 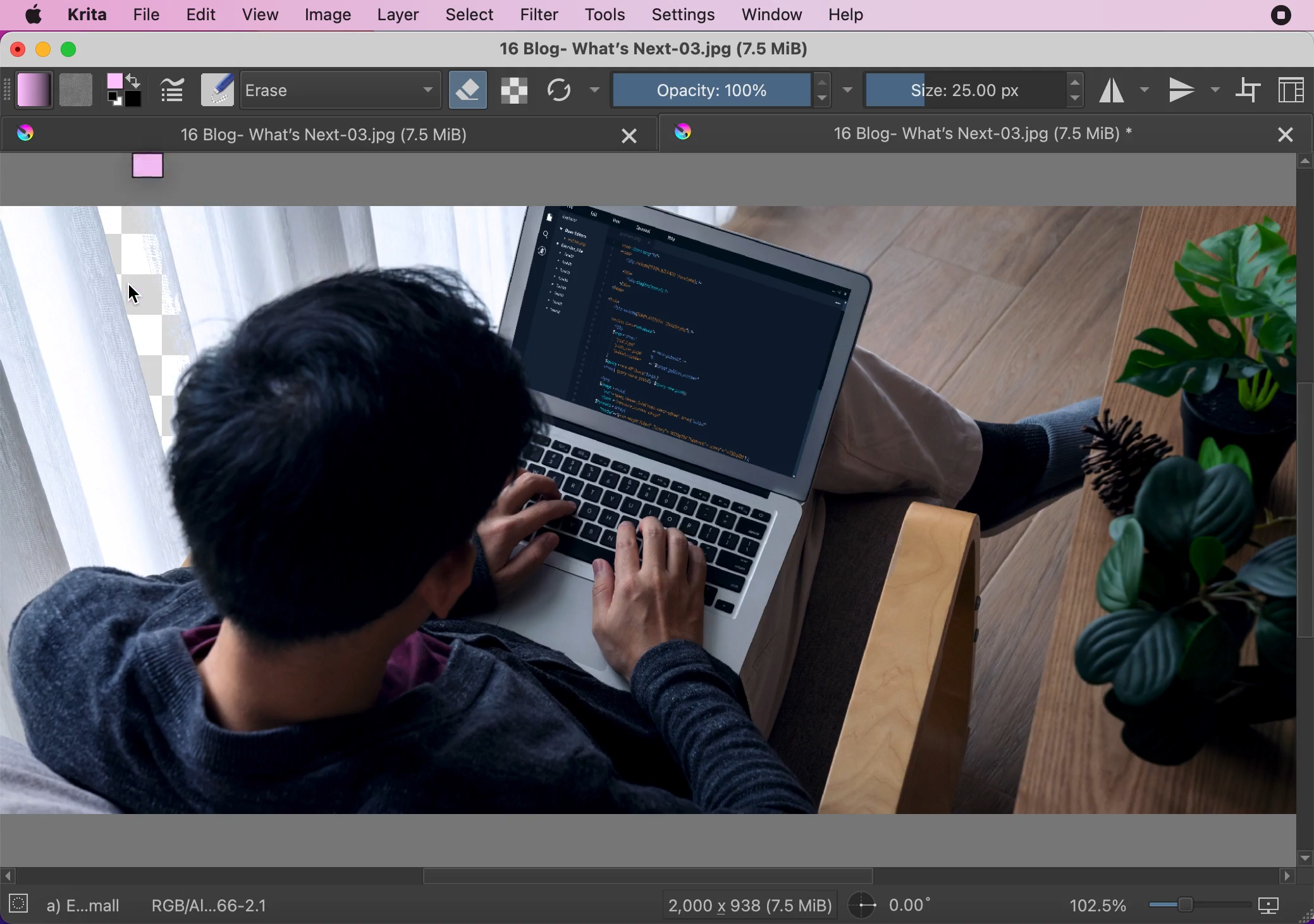 What do you see at coordinates (473, 15) in the screenshot?
I see `select` at bounding box center [473, 15].